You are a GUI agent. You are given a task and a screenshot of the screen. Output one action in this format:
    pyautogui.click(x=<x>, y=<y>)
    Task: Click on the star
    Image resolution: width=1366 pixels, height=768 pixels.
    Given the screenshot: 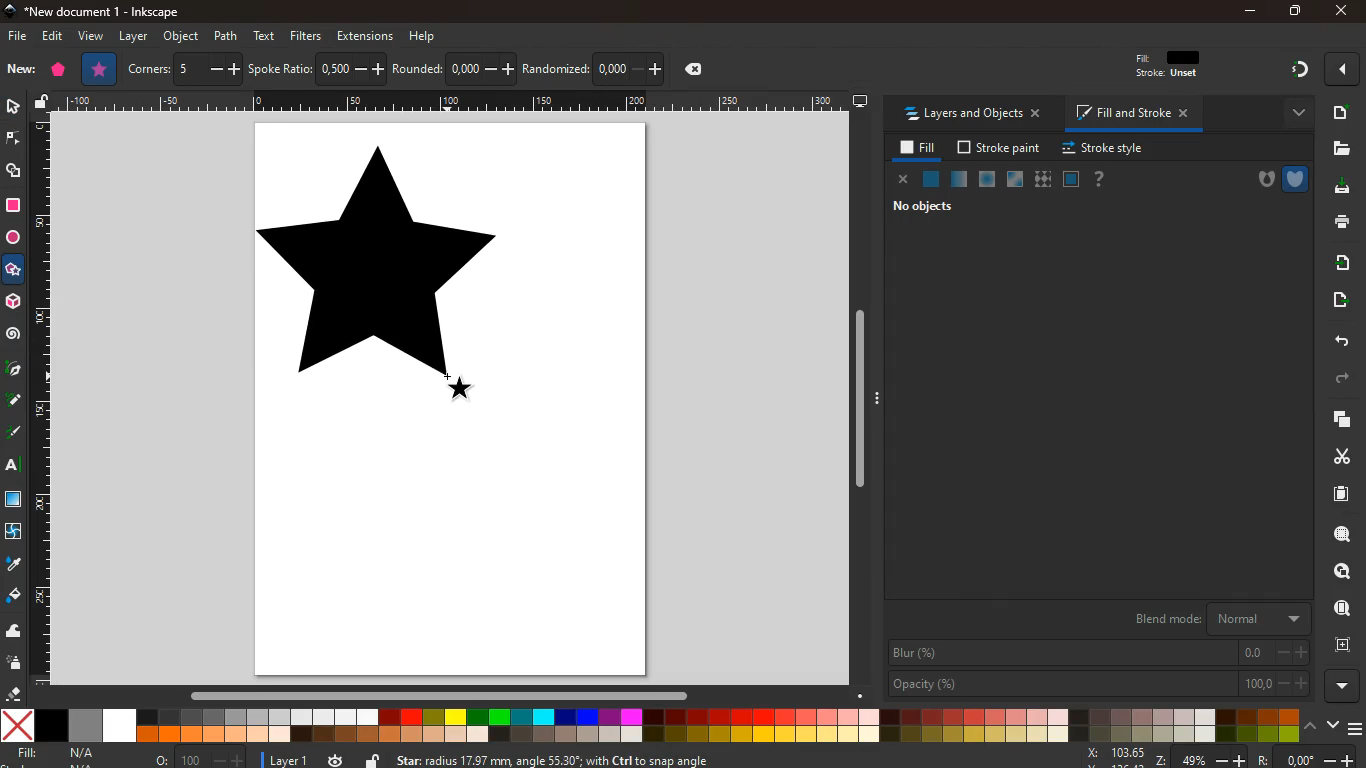 What is the action you would take?
    pyautogui.click(x=100, y=69)
    